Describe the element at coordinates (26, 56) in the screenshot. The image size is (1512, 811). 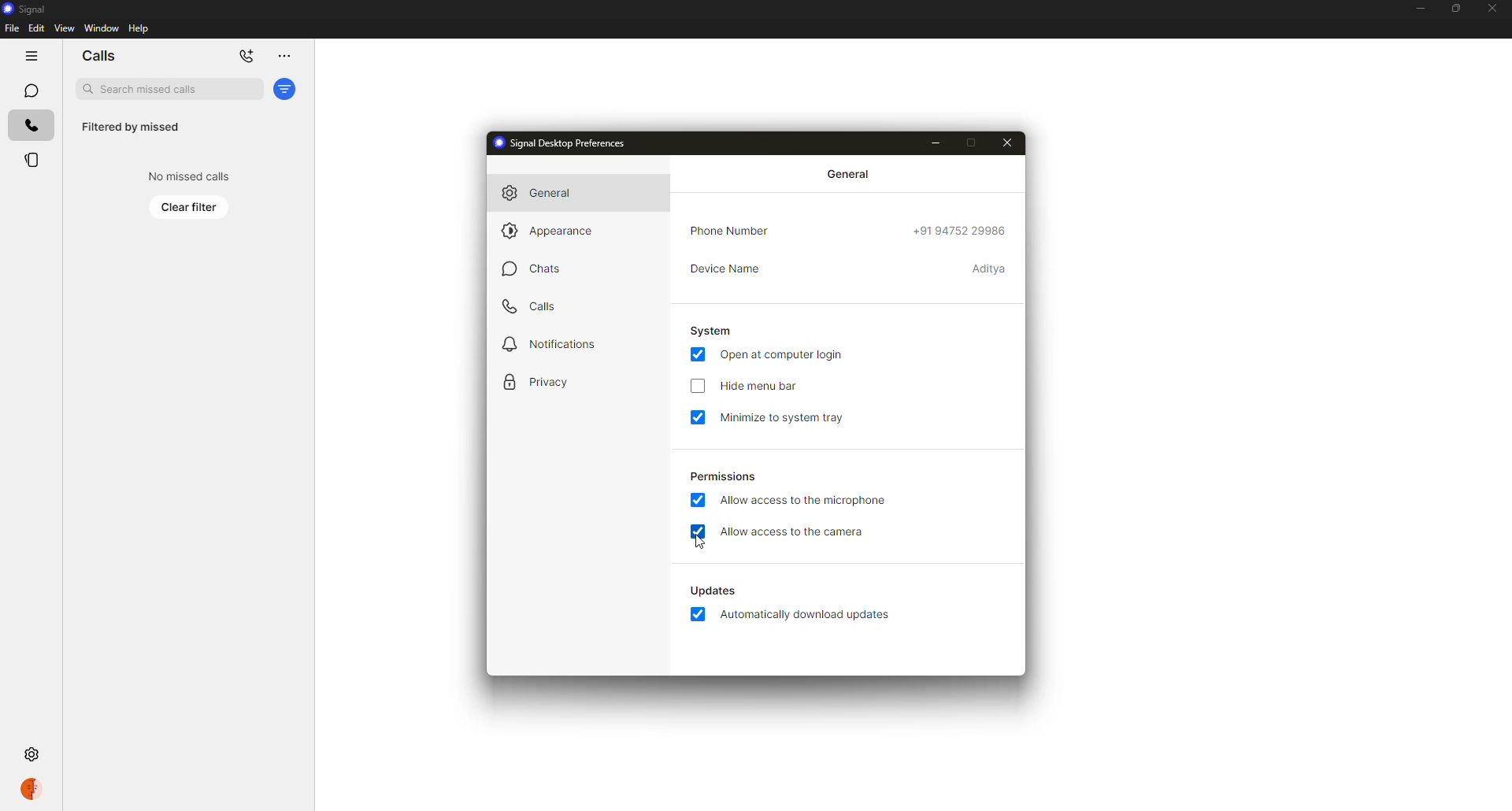
I see `hide tabs` at that location.